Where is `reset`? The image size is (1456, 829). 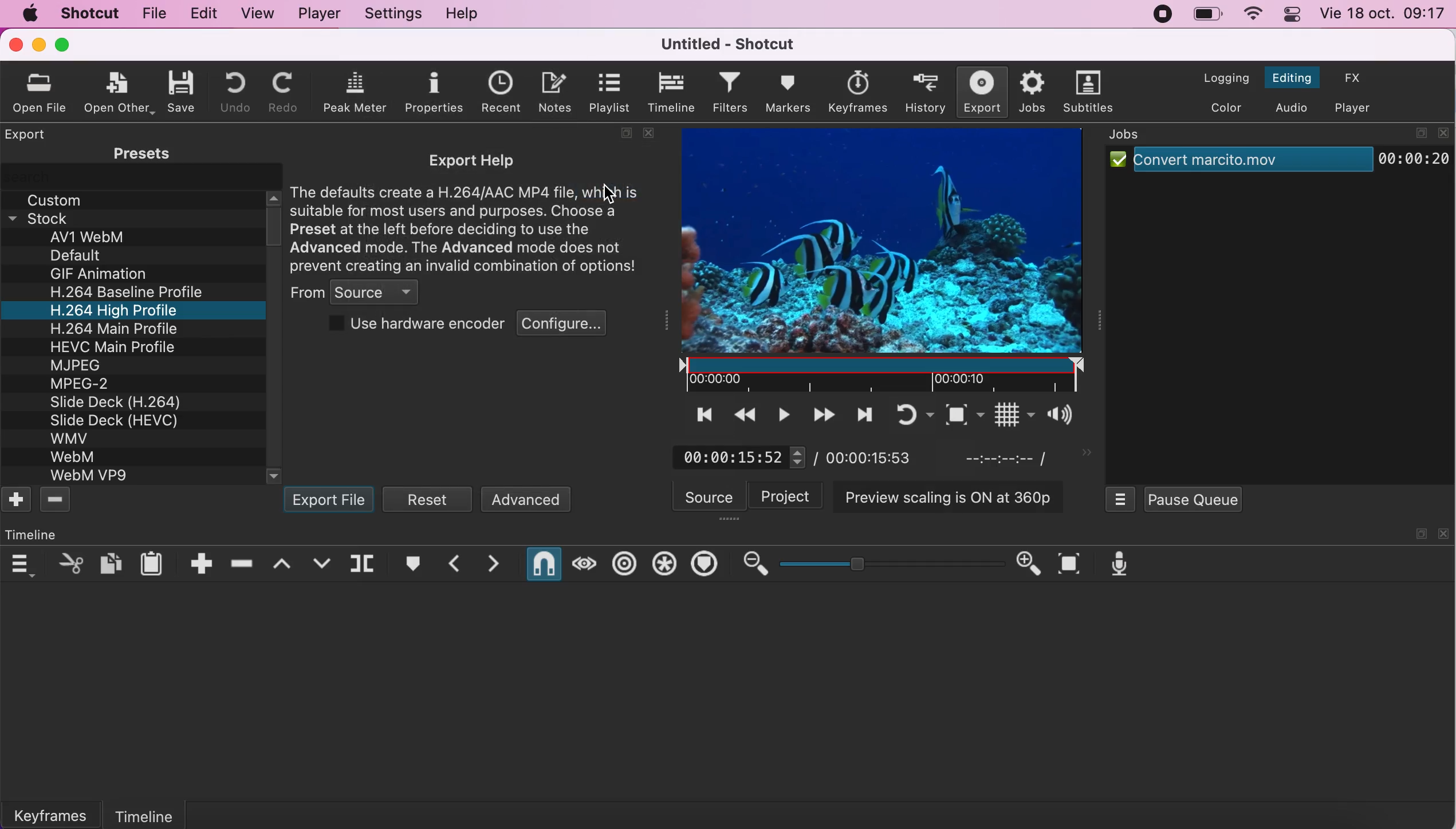
reset is located at coordinates (430, 499).